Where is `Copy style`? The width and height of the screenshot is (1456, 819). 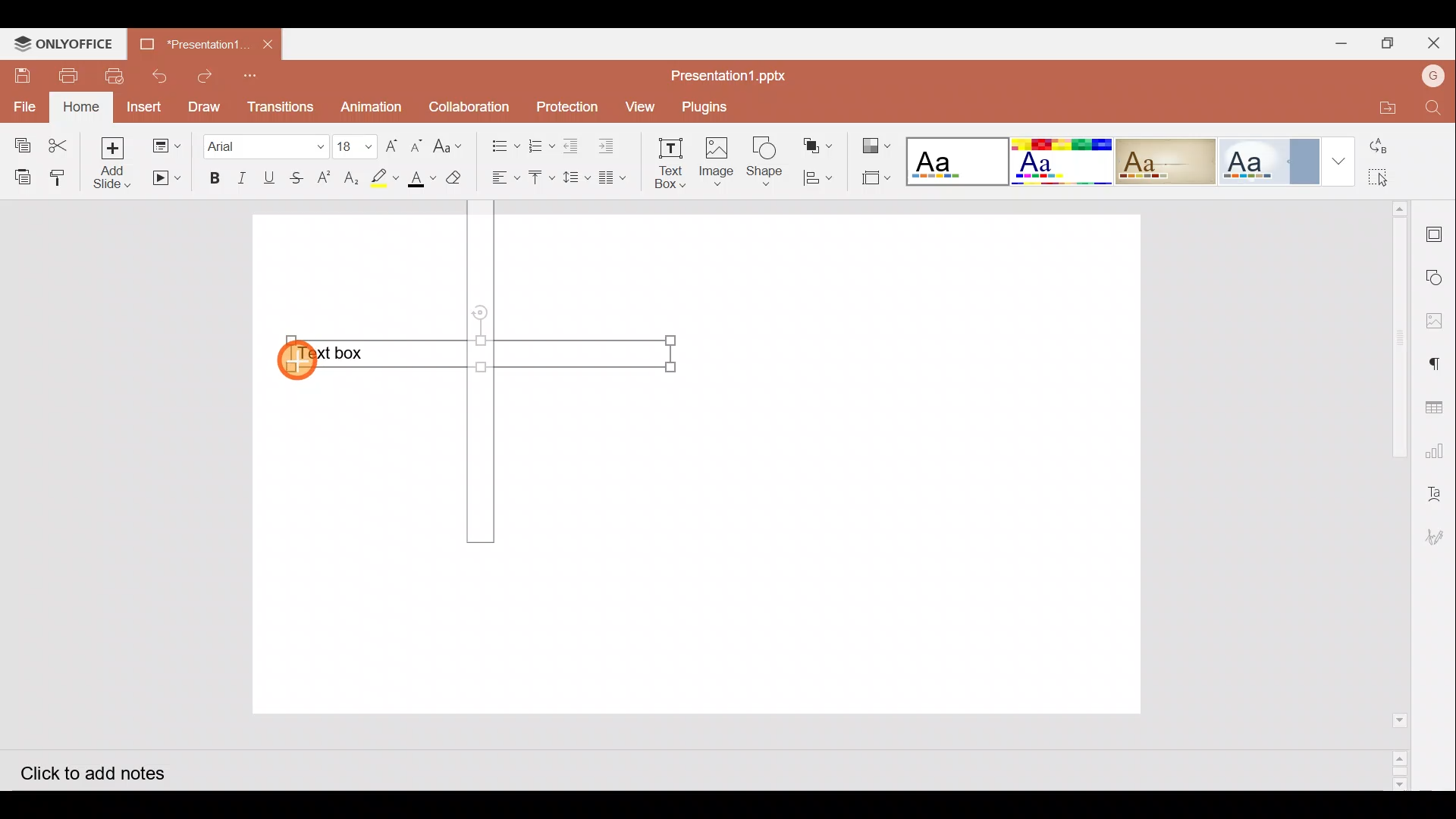
Copy style is located at coordinates (63, 174).